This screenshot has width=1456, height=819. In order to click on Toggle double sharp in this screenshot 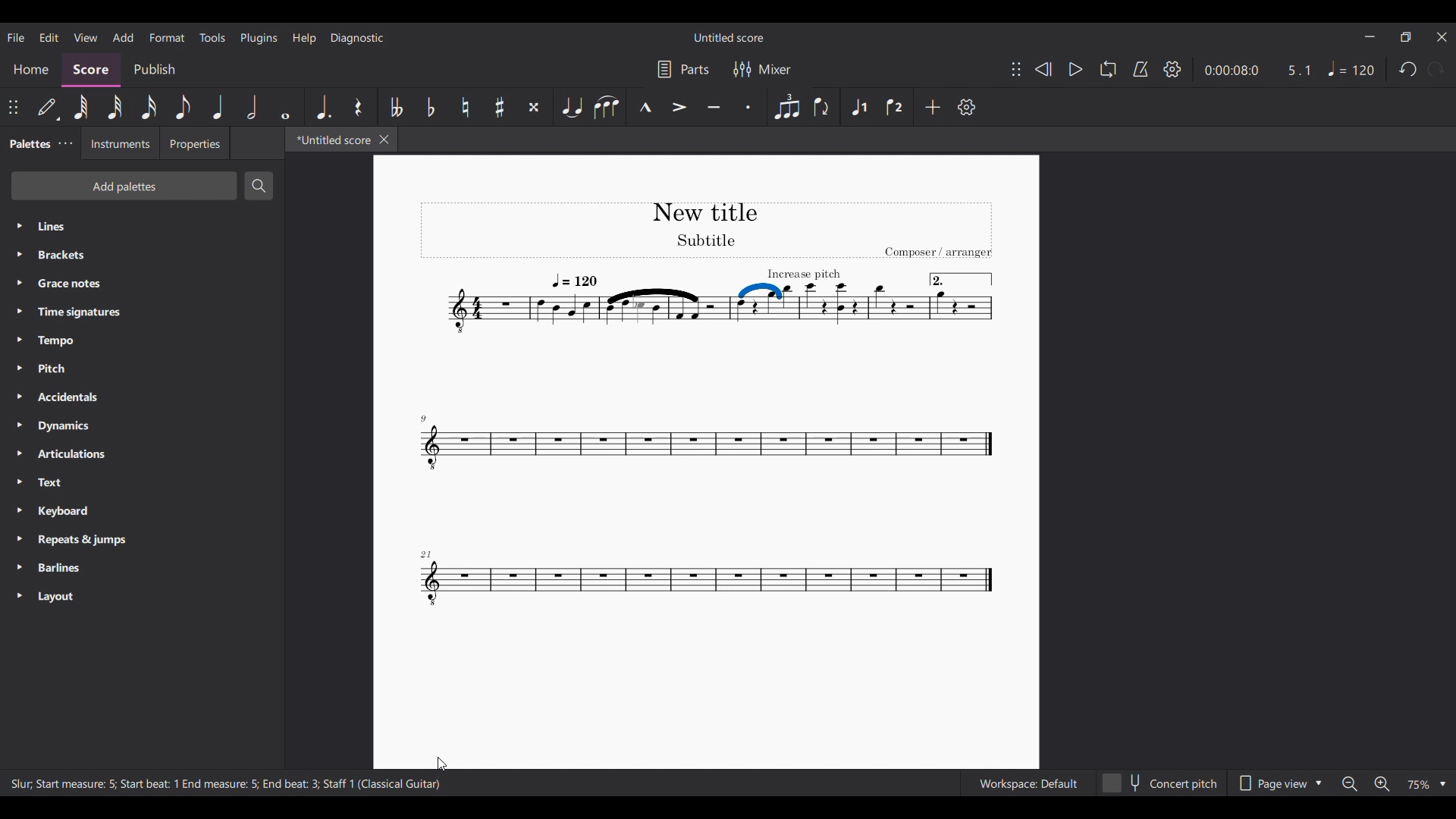, I will do `click(534, 107)`.